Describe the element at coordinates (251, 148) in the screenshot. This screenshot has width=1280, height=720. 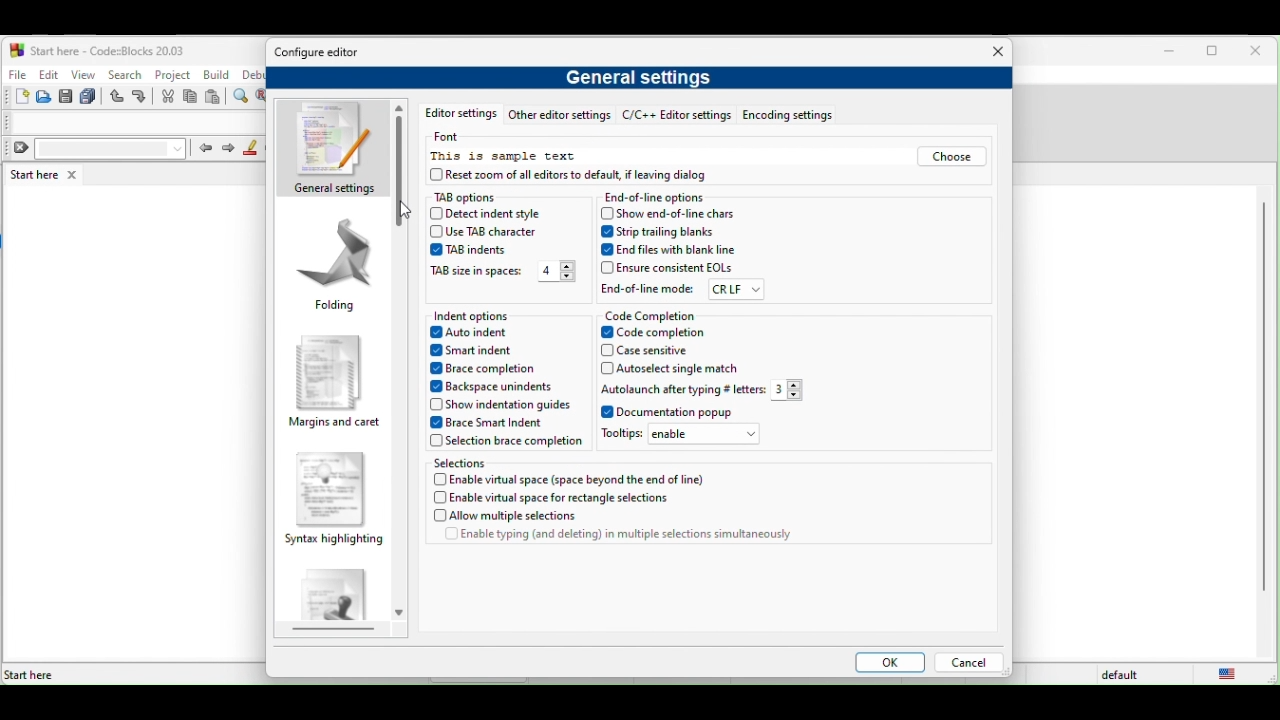
I see `highlight` at that location.